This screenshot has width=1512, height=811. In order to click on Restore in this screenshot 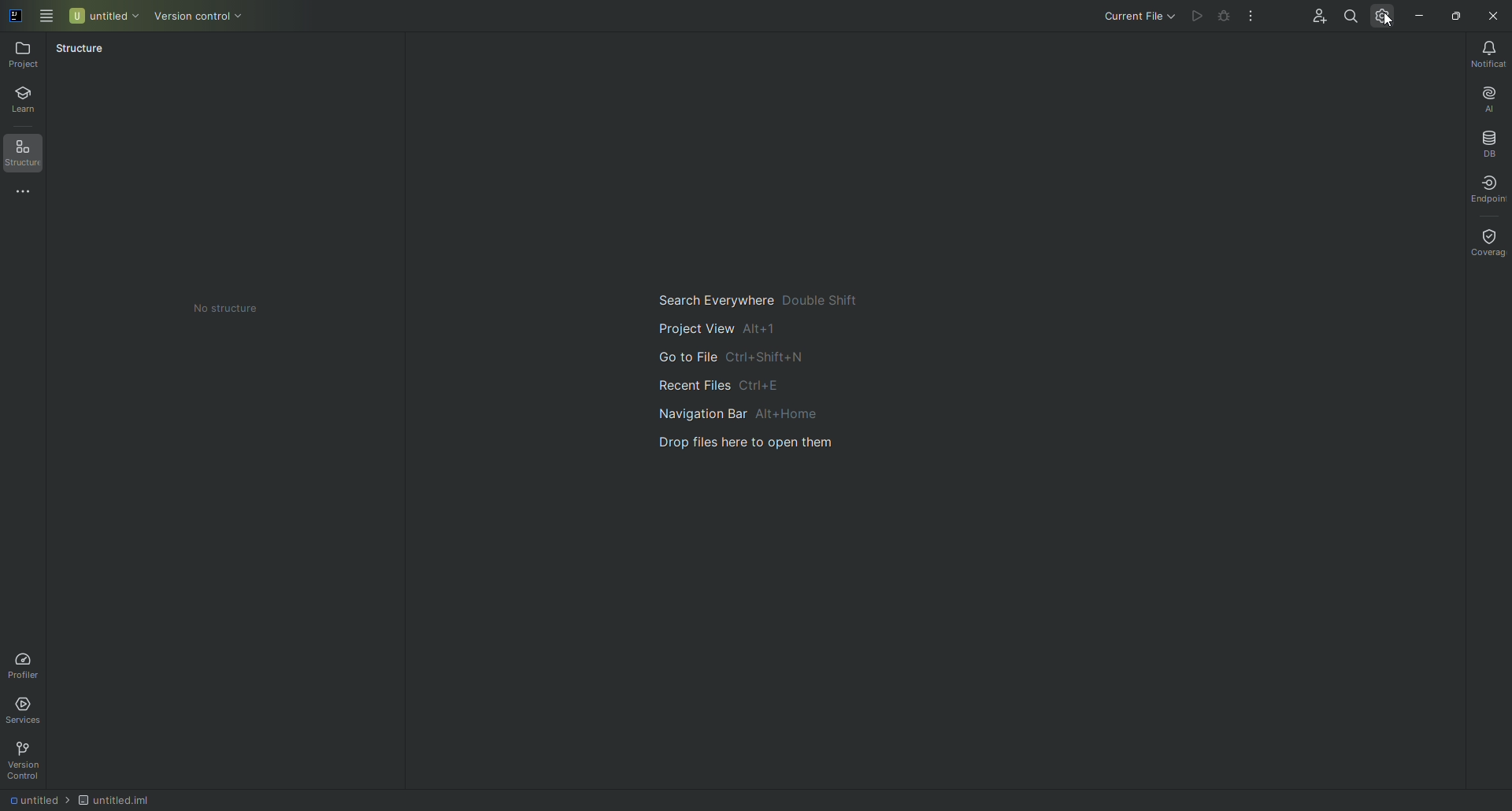, I will do `click(1454, 15)`.